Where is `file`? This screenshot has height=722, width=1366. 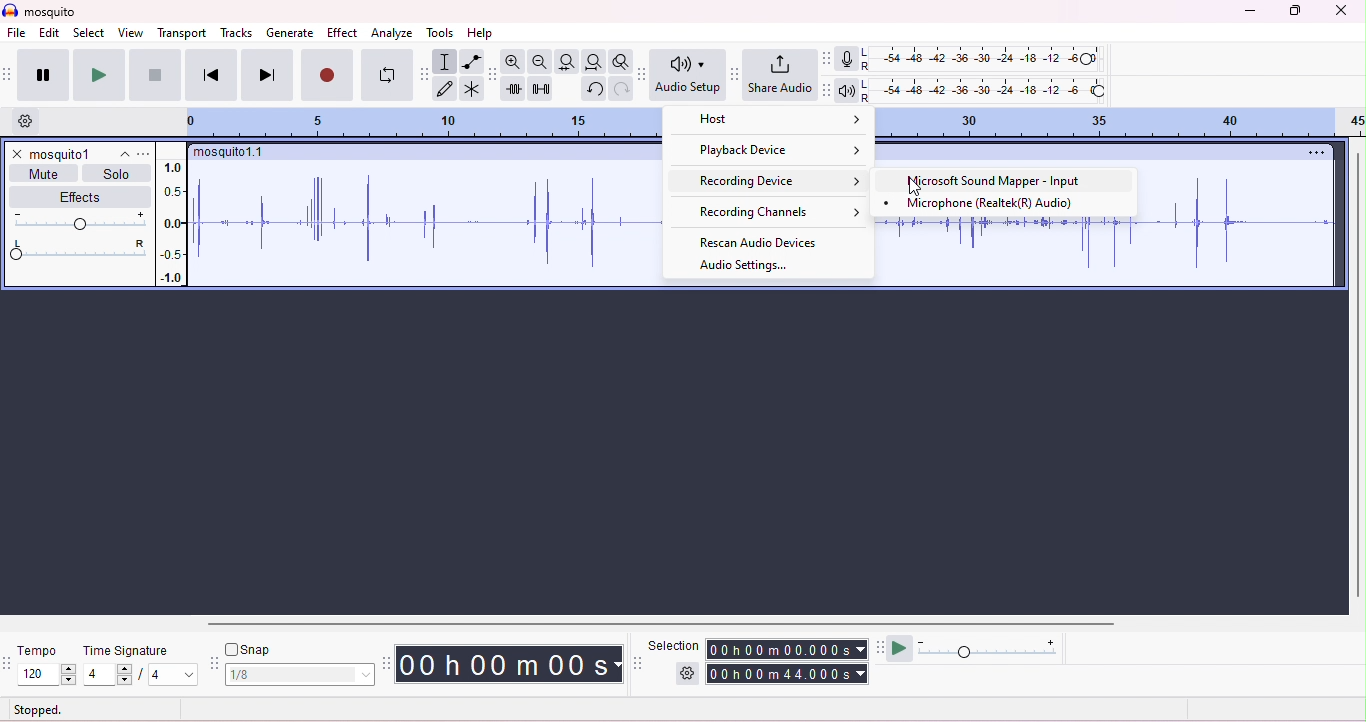
file is located at coordinates (17, 34).